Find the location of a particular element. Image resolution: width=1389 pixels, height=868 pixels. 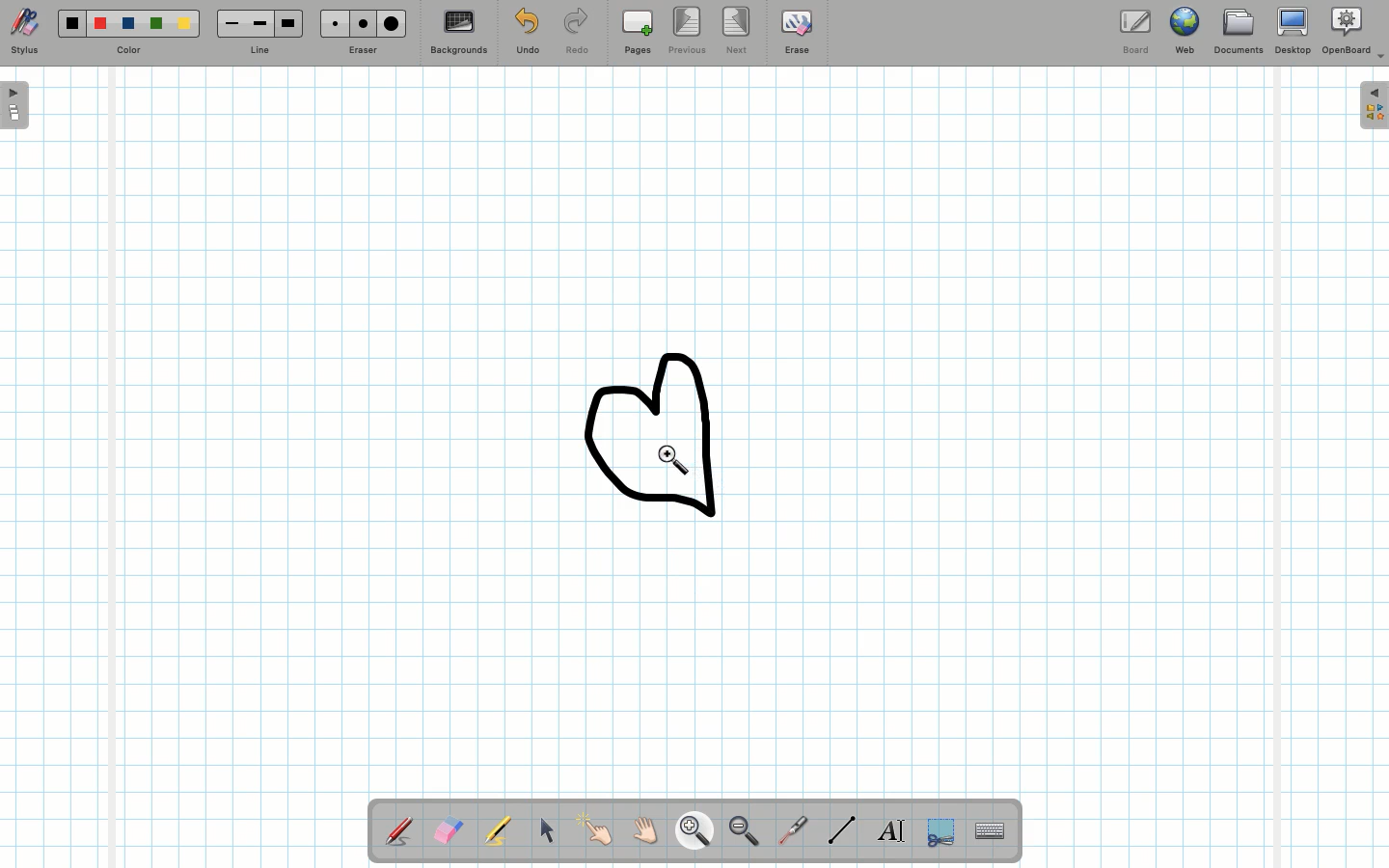

drawing is located at coordinates (660, 436).